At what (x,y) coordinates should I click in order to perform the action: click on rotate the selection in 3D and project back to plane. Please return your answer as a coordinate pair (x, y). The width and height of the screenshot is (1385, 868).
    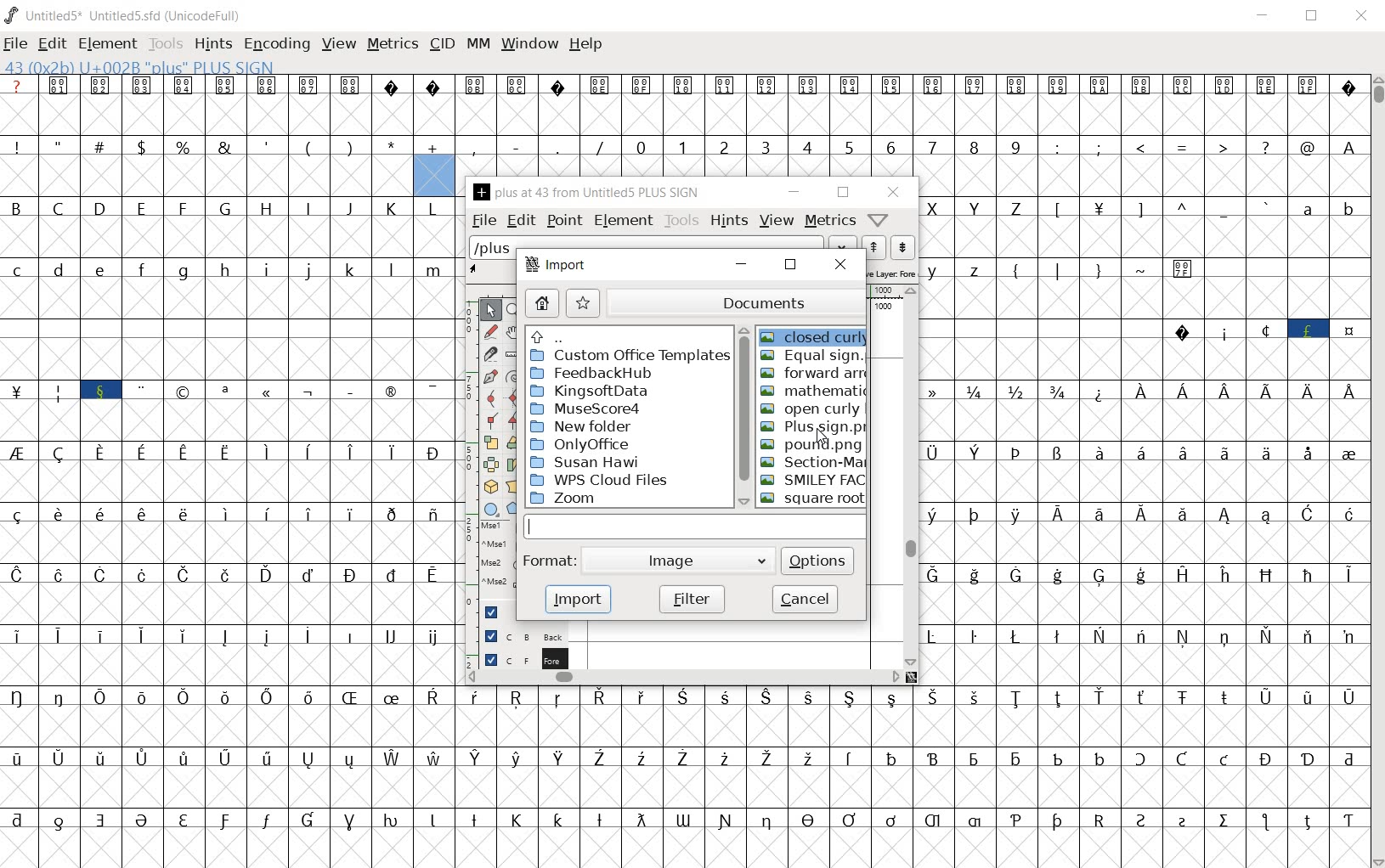
    Looking at the image, I should click on (491, 486).